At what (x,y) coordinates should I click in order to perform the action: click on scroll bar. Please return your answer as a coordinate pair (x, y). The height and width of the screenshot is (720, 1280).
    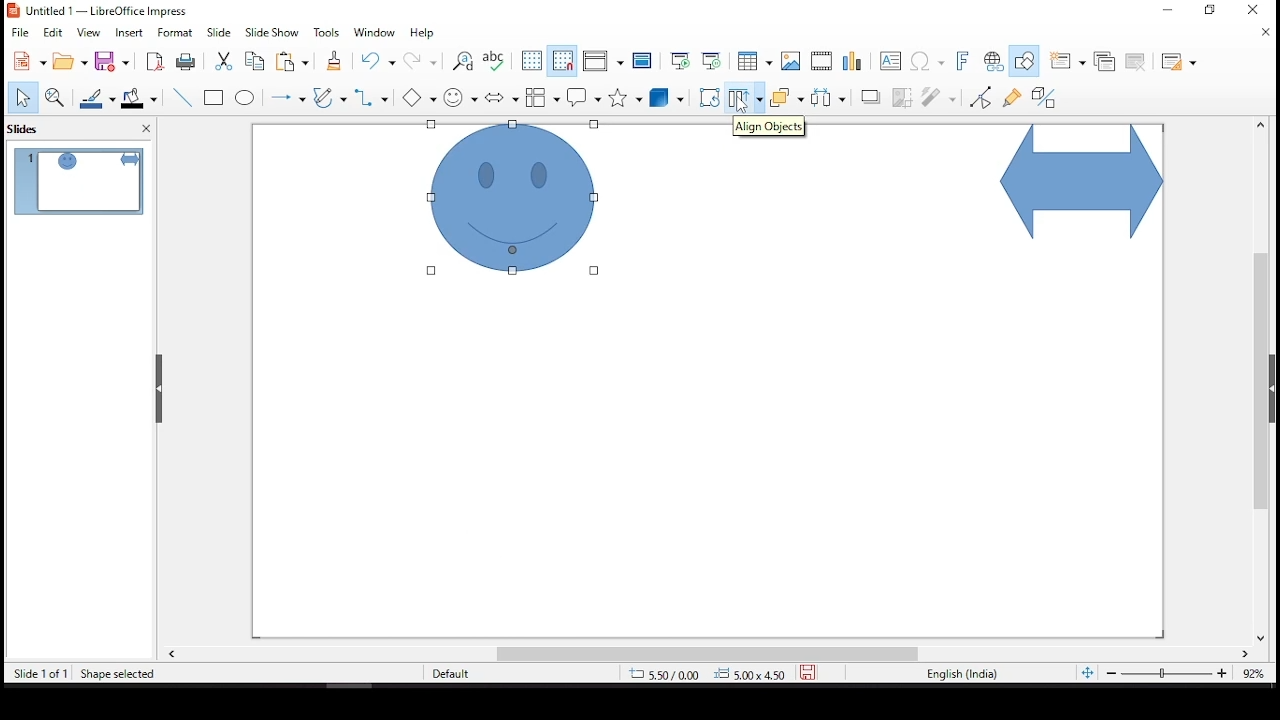
    Looking at the image, I should click on (1255, 380).